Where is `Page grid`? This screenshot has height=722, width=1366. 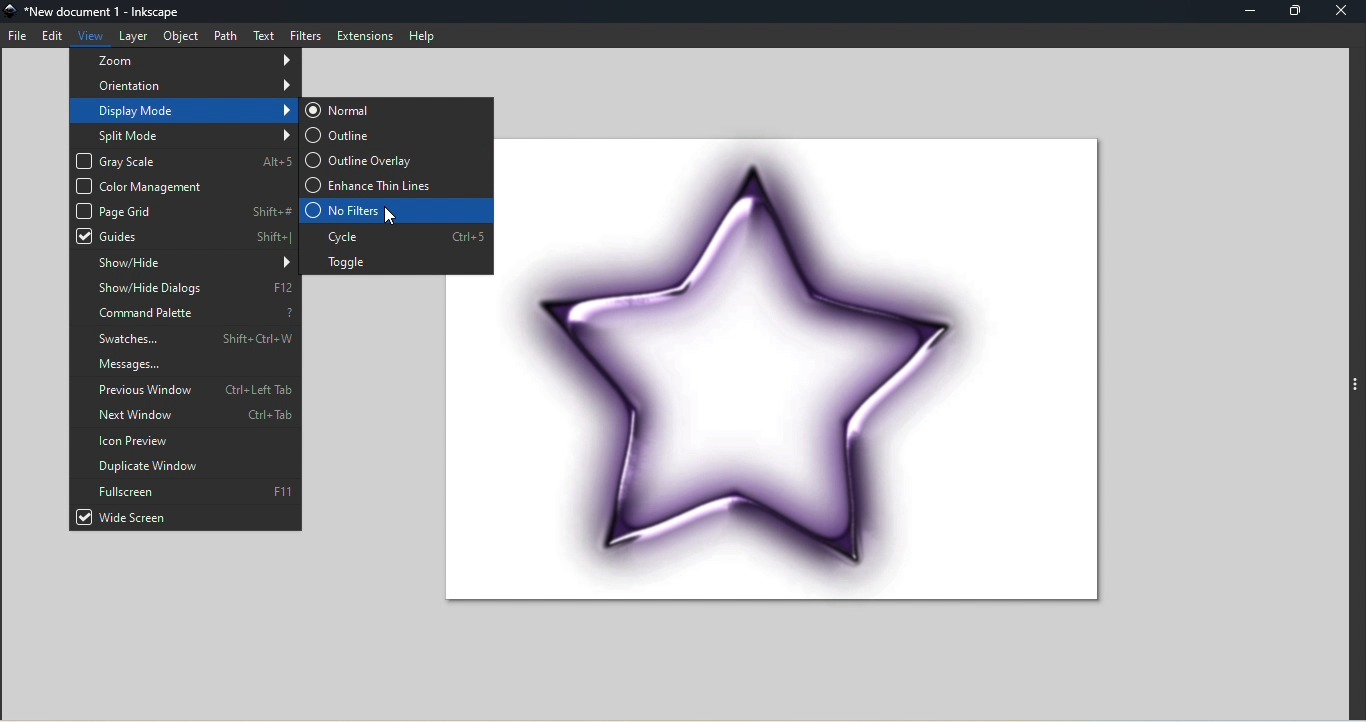 Page grid is located at coordinates (183, 210).